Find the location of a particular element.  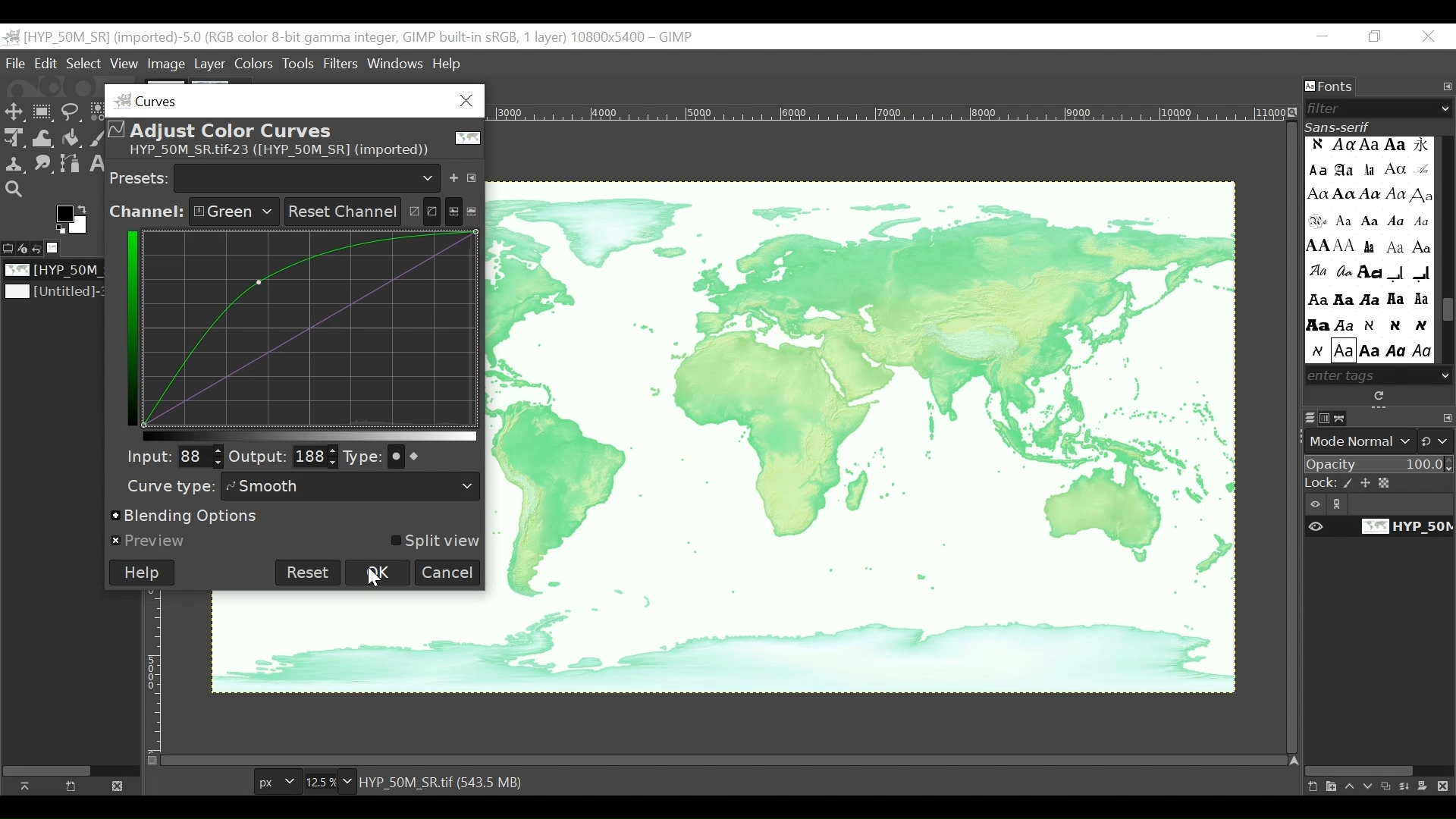

Input is located at coordinates (145, 456).